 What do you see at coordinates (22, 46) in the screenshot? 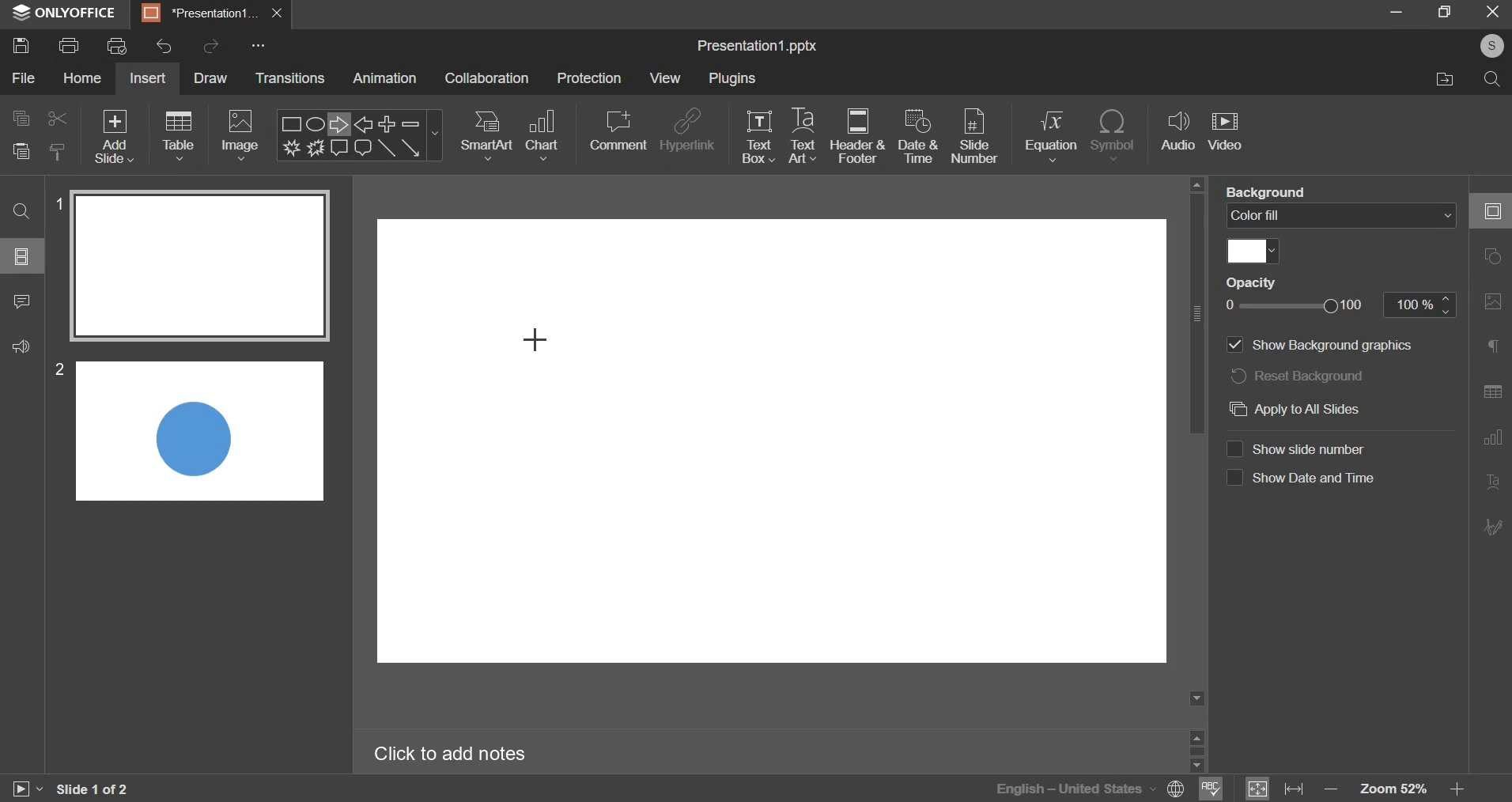
I see `save` at bounding box center [22, 46].